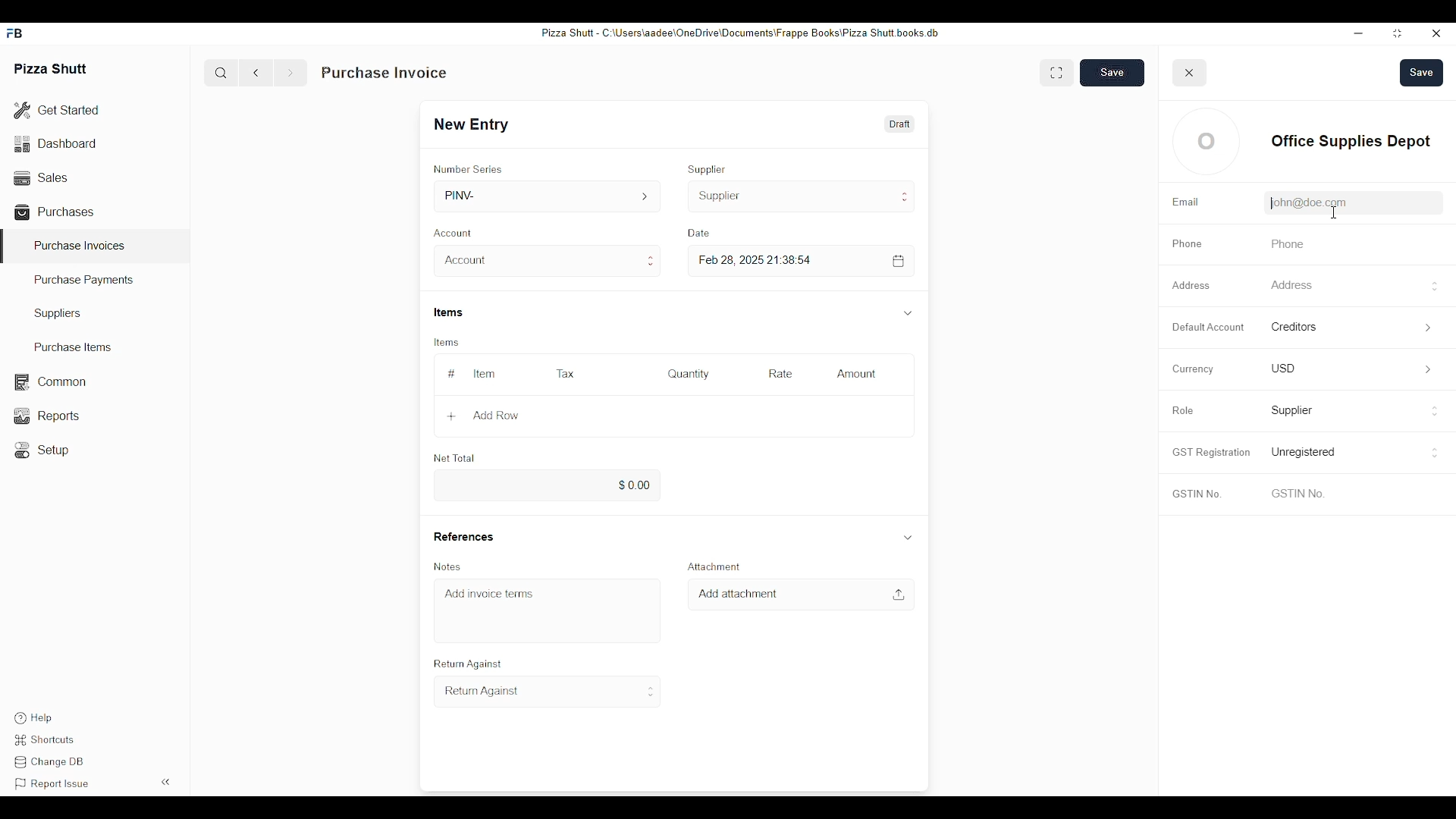  I want to click on PINV, so click(549, 196).